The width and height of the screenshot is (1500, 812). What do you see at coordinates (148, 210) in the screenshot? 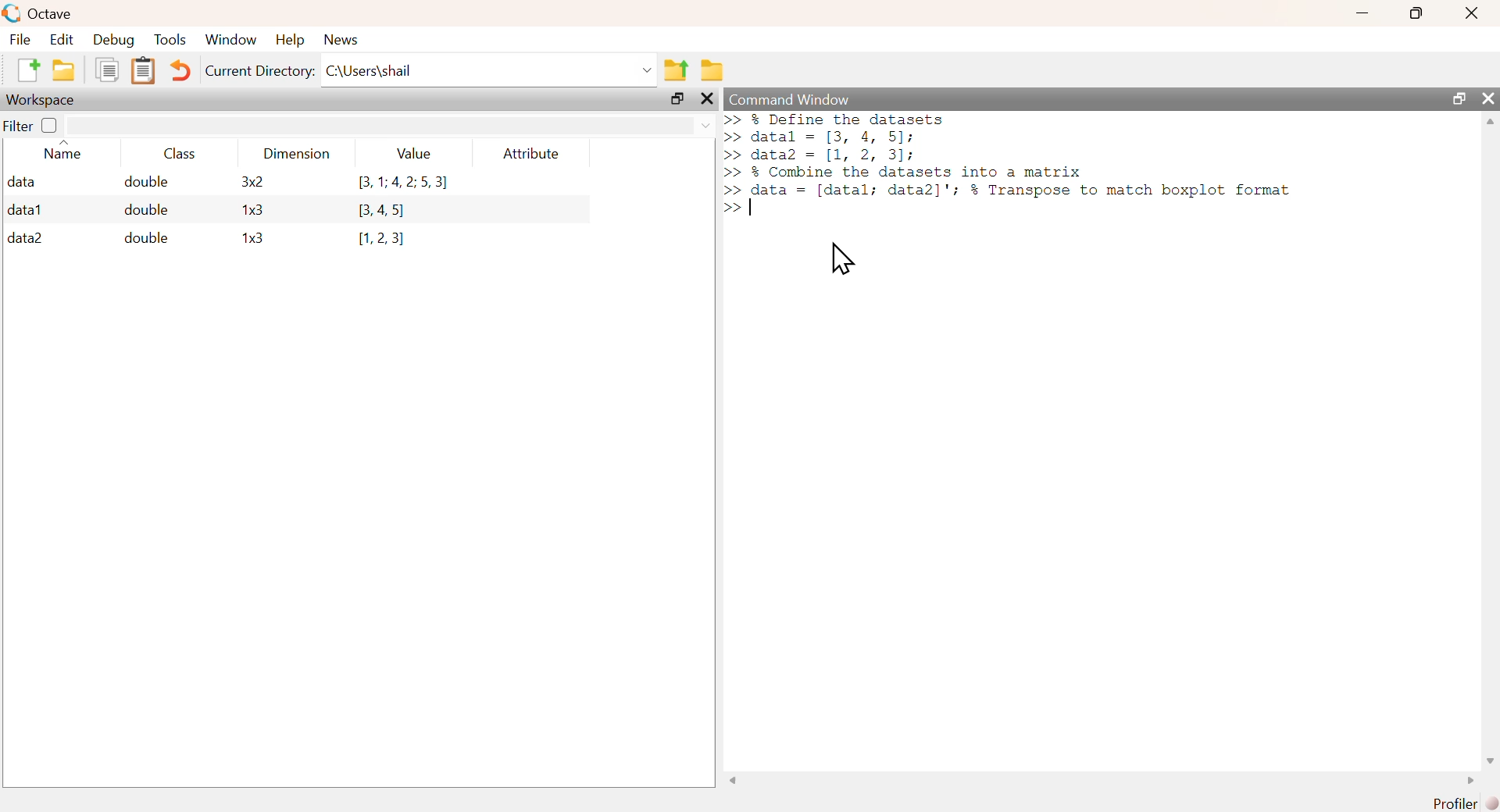
I see `double` at bounding box center [148, 210].